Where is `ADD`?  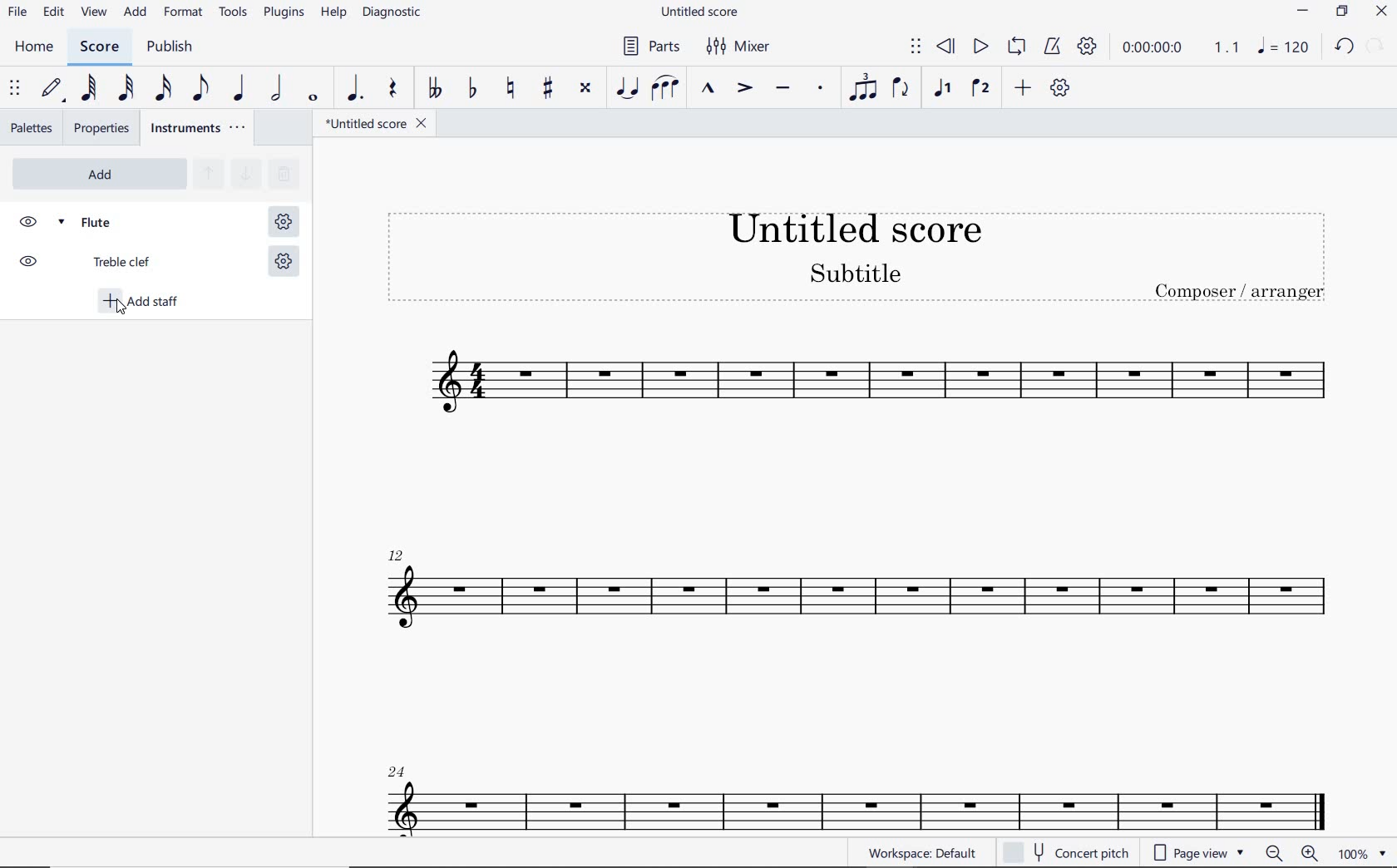 ADD is located at coordinates (99, 174).